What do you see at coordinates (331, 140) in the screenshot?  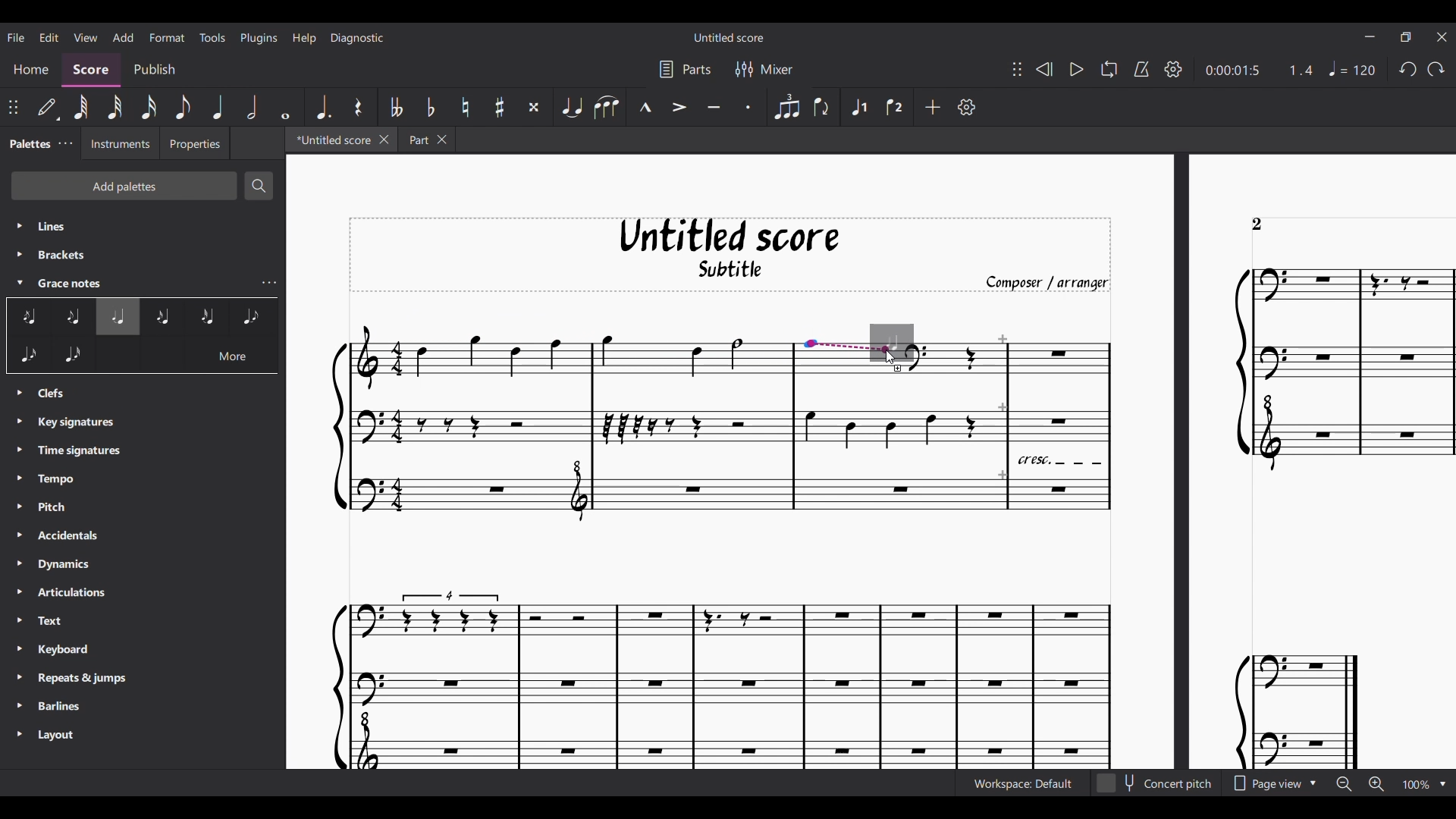 I see `Current tab` at bounding box center [331, 140].